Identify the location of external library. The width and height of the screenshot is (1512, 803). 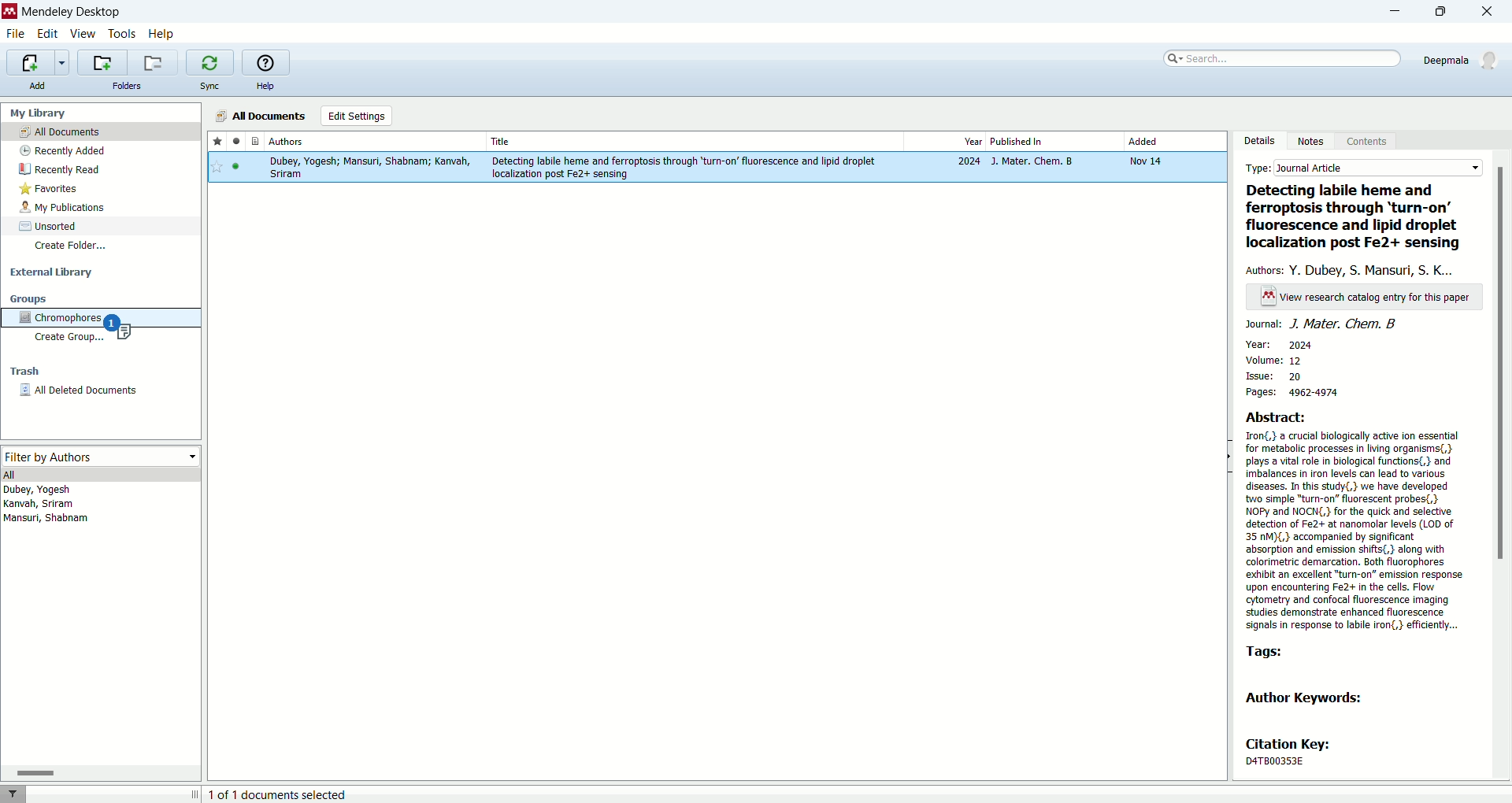
(54, 273).